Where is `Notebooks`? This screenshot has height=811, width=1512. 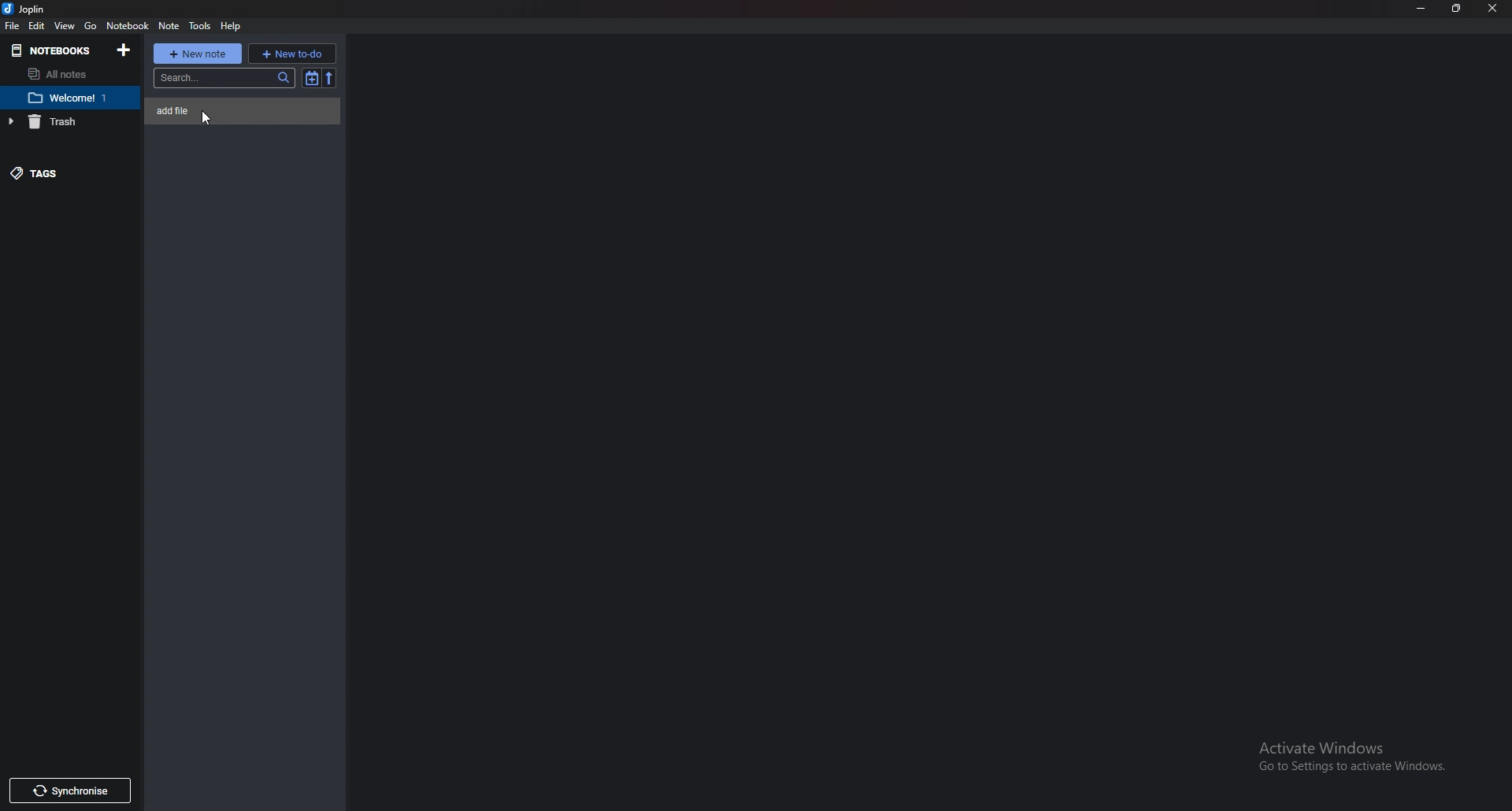 Notebooks is located at coordinates (53, 50).